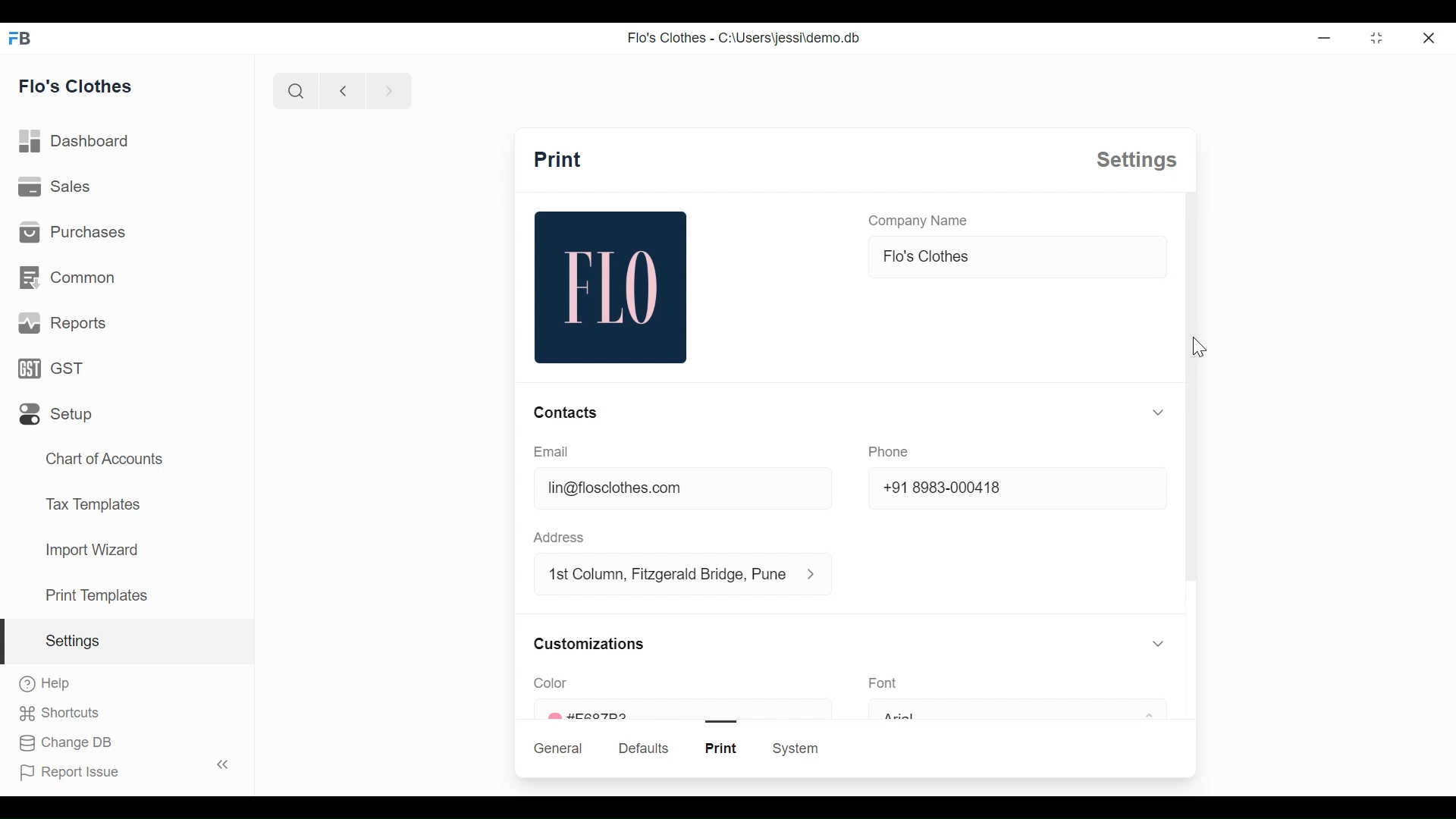  Describe the element at coordinates (795, 748) in the screenshot. I see `system` at that location.